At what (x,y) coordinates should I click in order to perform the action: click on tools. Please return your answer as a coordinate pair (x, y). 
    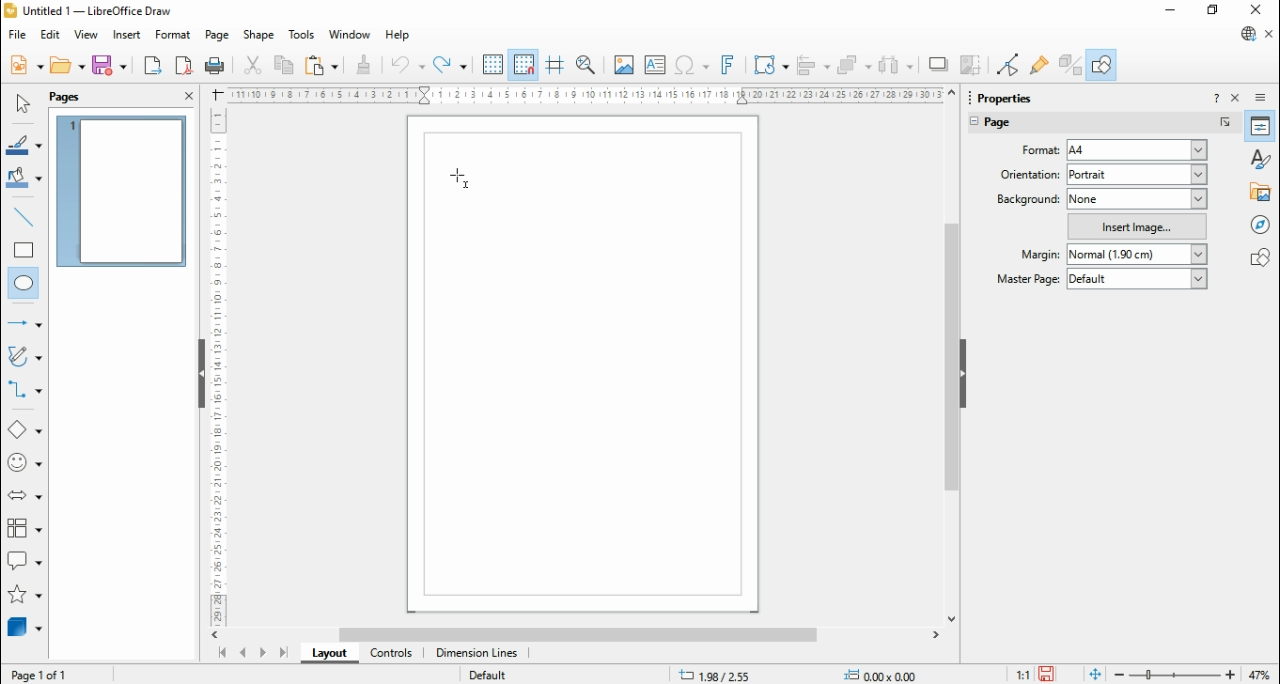
    Looking at the image, I should click on (303, 36).